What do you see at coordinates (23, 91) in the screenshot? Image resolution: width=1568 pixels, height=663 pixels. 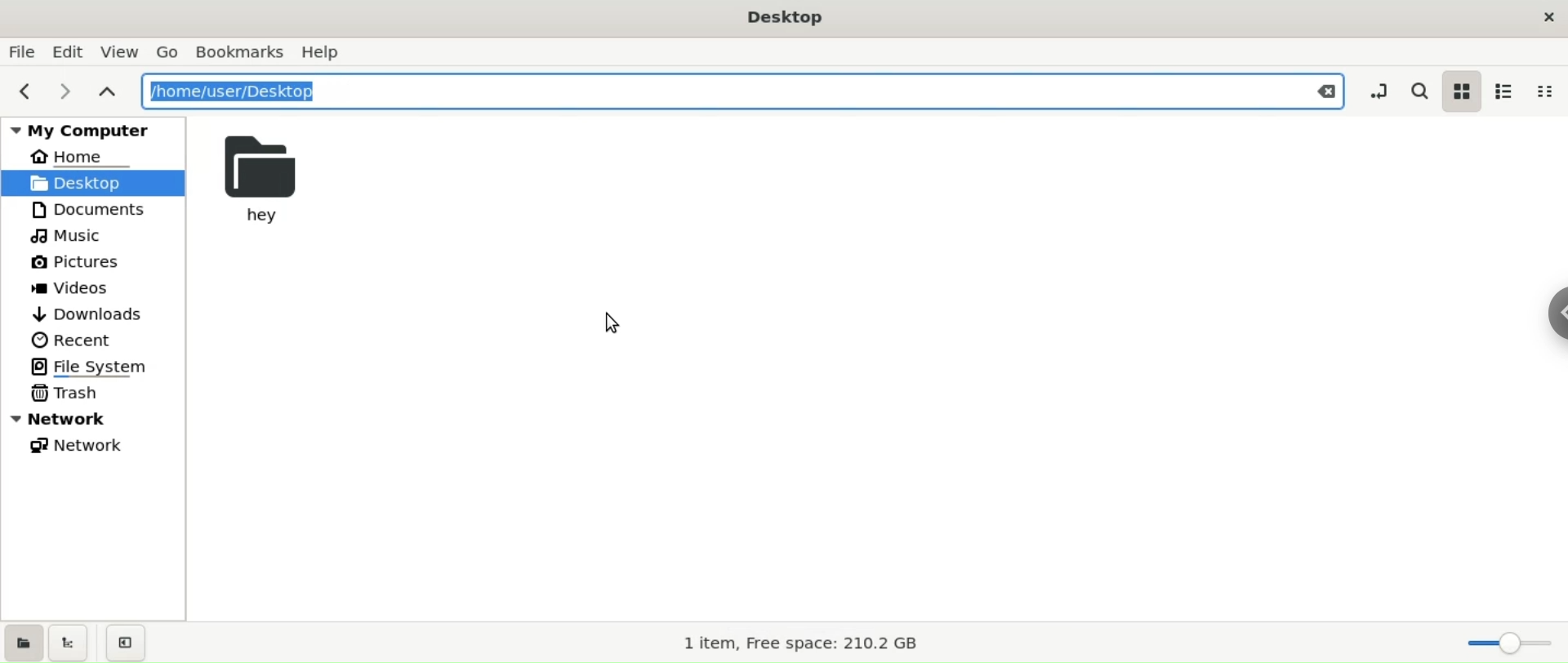 I see `previous` at bounding box center [23, 91].